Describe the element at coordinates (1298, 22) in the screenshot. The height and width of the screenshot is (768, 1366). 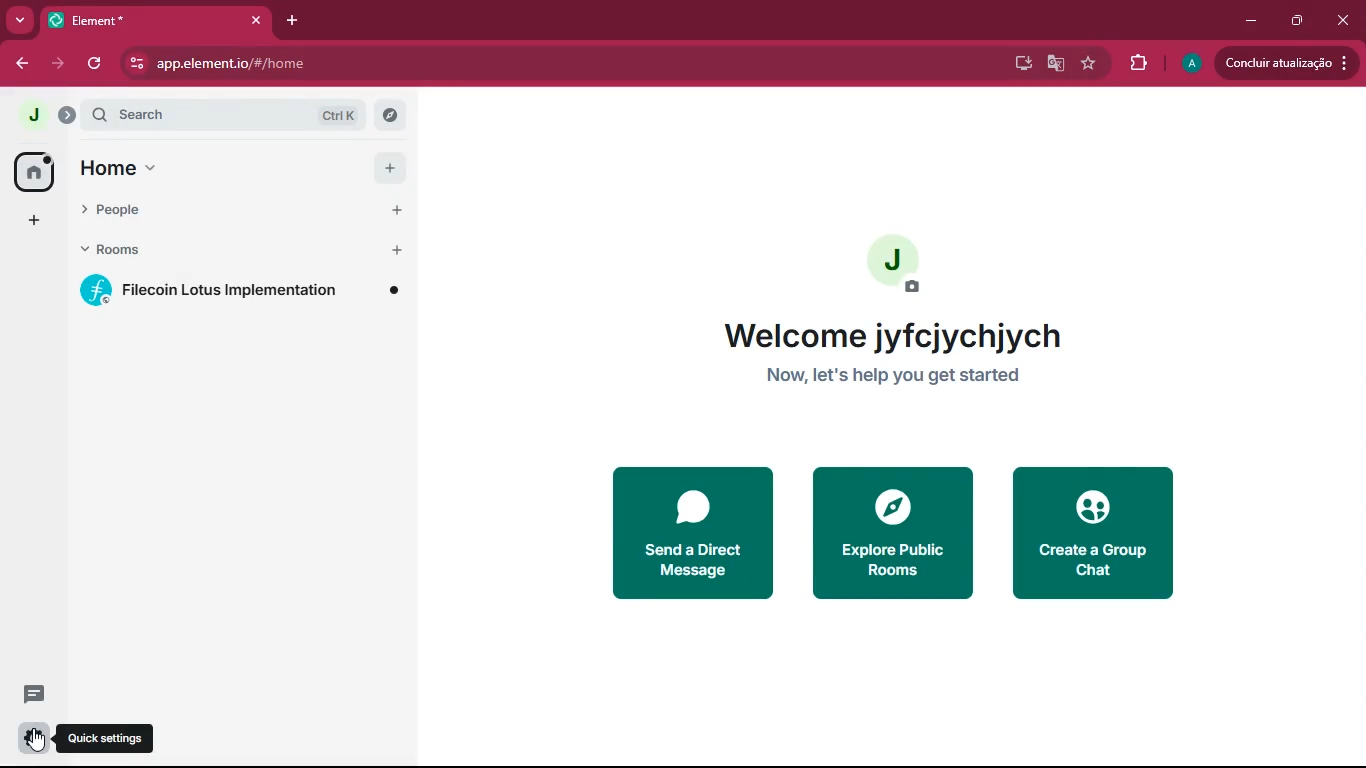
I see `maximize` at that location.